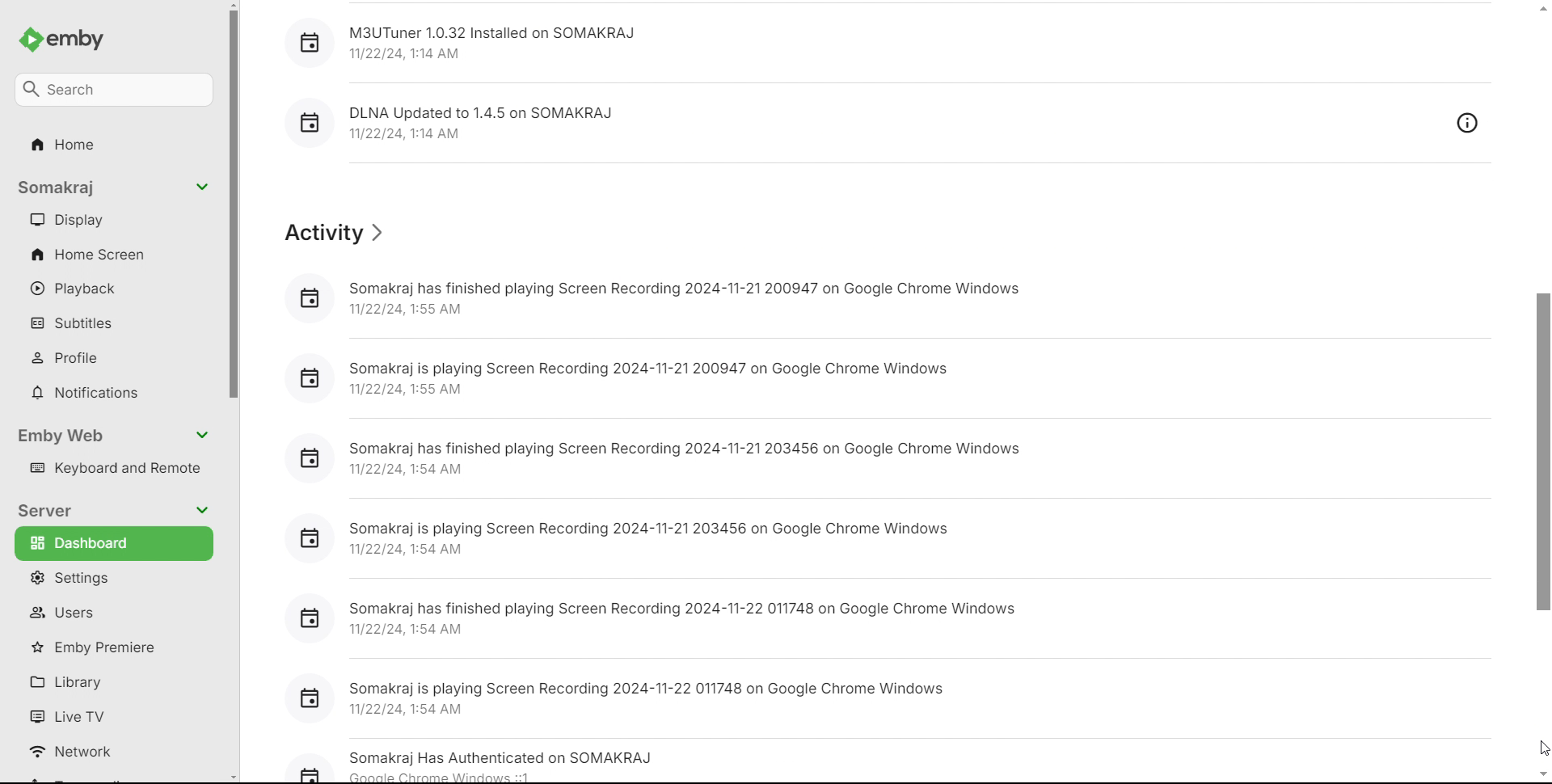  I want to click on library, so click(109, 679).